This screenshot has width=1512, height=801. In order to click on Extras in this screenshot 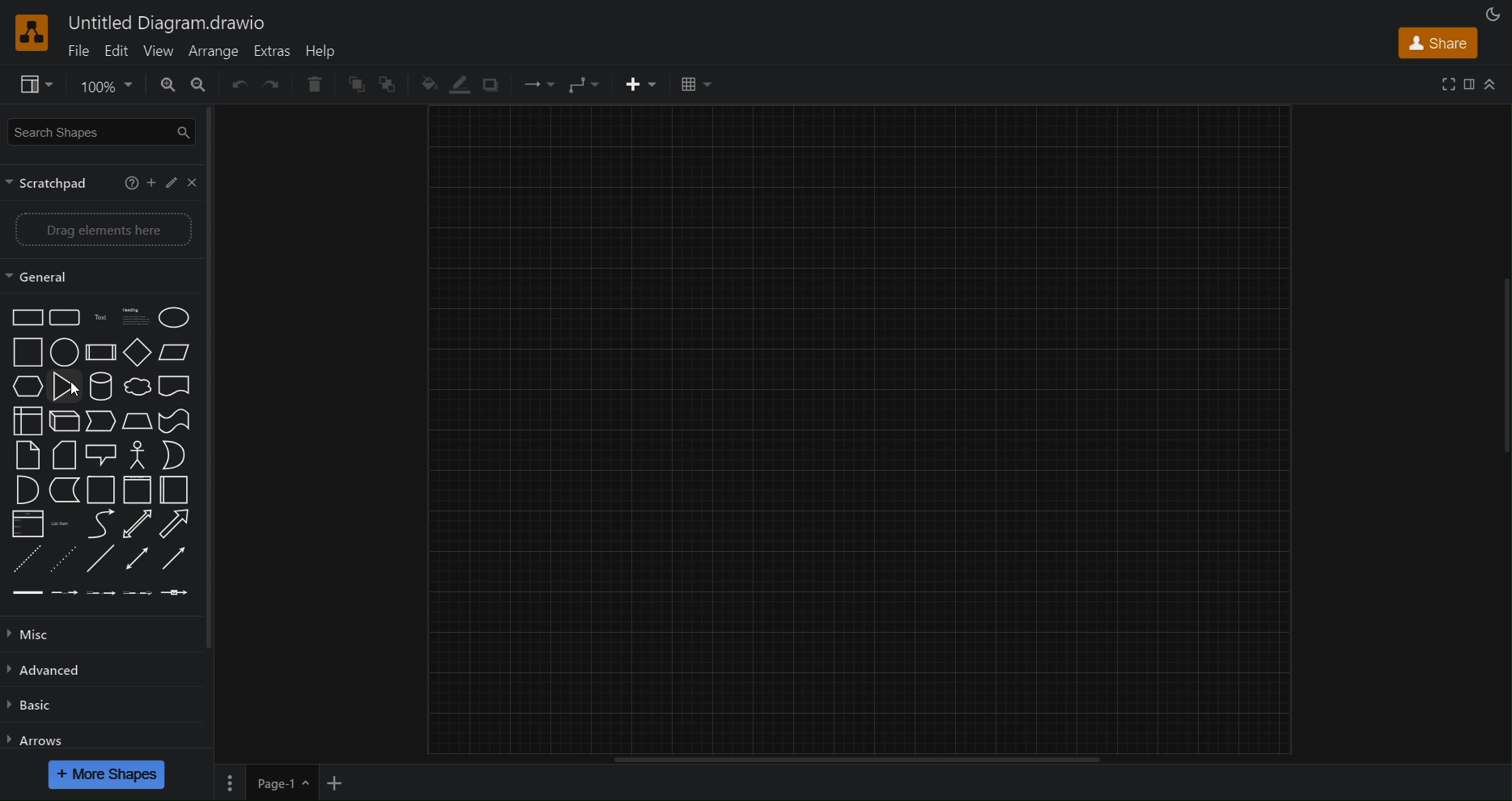, I will do `click(274, 50)`.